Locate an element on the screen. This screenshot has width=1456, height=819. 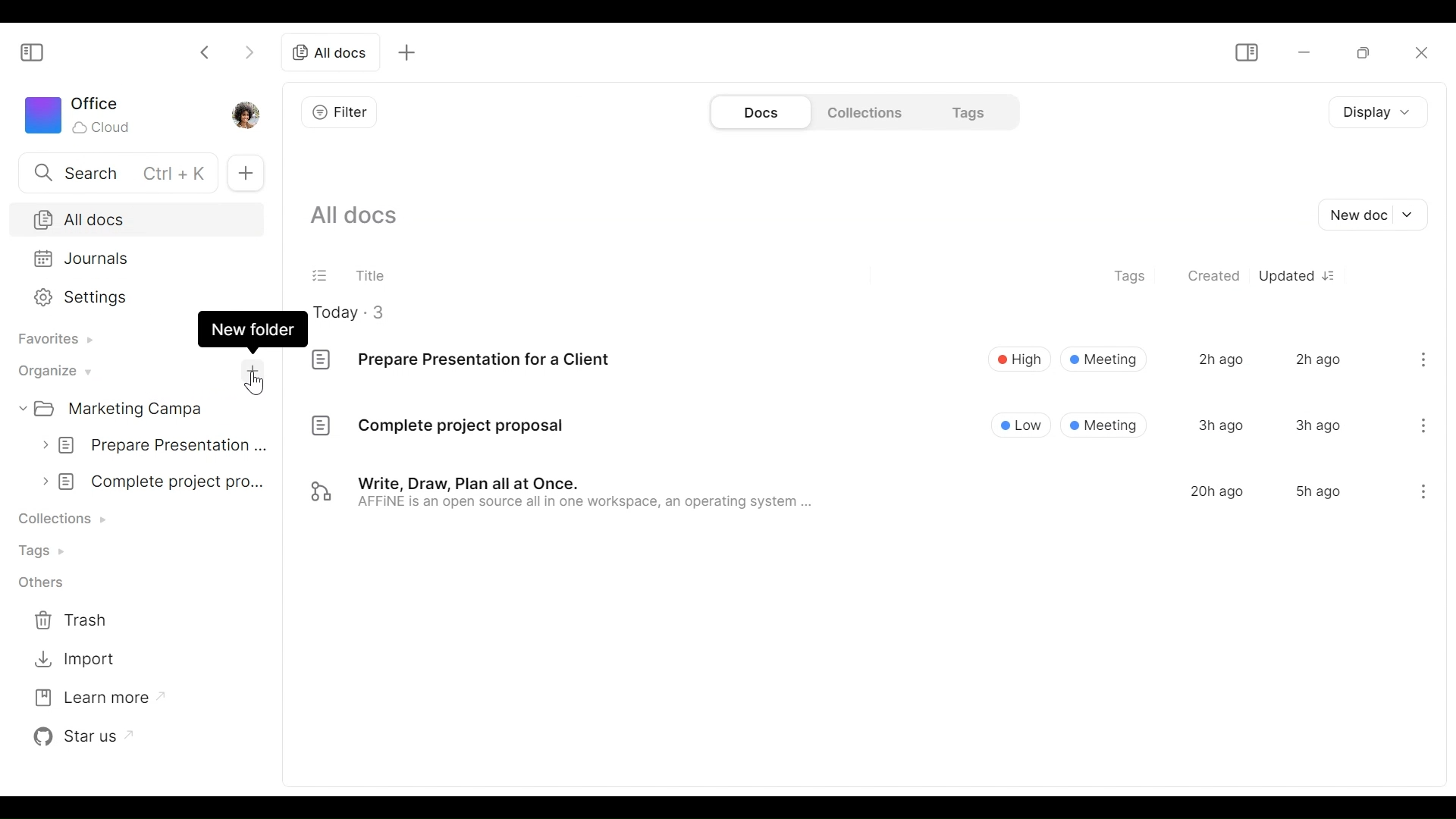
Star us is located at coordinates (81, 735).